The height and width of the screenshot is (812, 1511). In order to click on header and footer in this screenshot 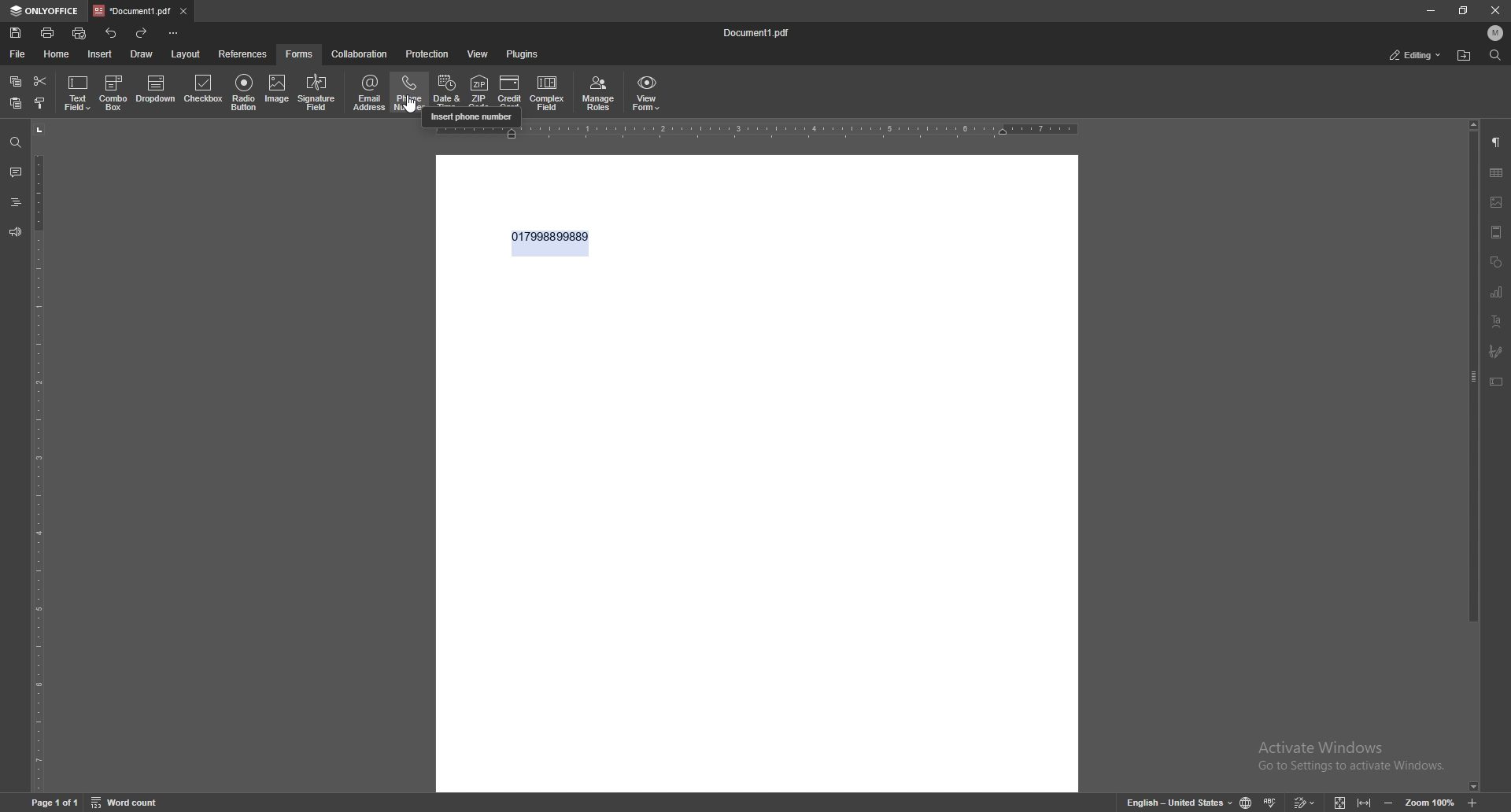, I will do `click(1497, 232)`.